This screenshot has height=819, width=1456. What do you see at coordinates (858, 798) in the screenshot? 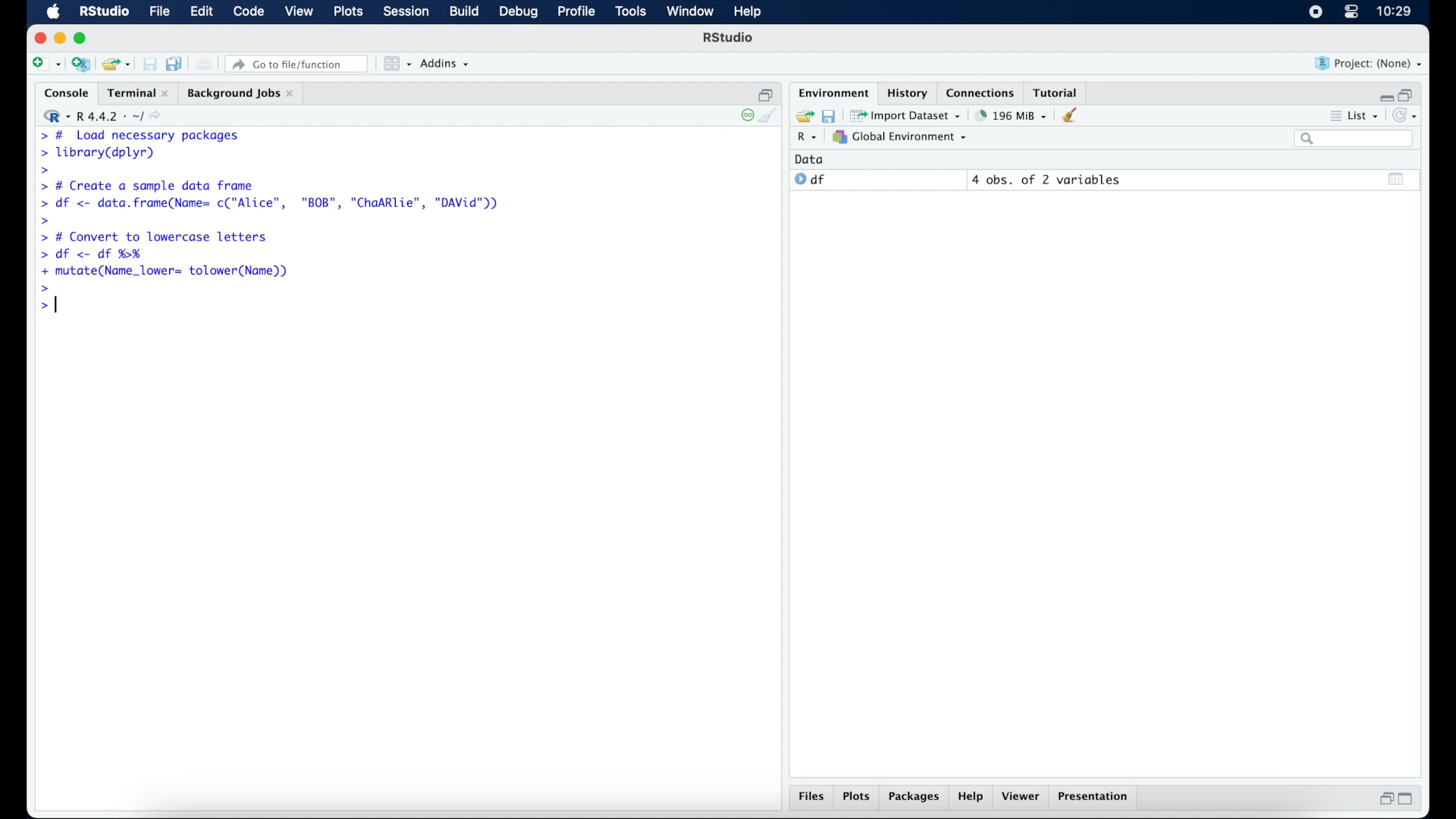
I see `plots` at bounding box center [858, 798].